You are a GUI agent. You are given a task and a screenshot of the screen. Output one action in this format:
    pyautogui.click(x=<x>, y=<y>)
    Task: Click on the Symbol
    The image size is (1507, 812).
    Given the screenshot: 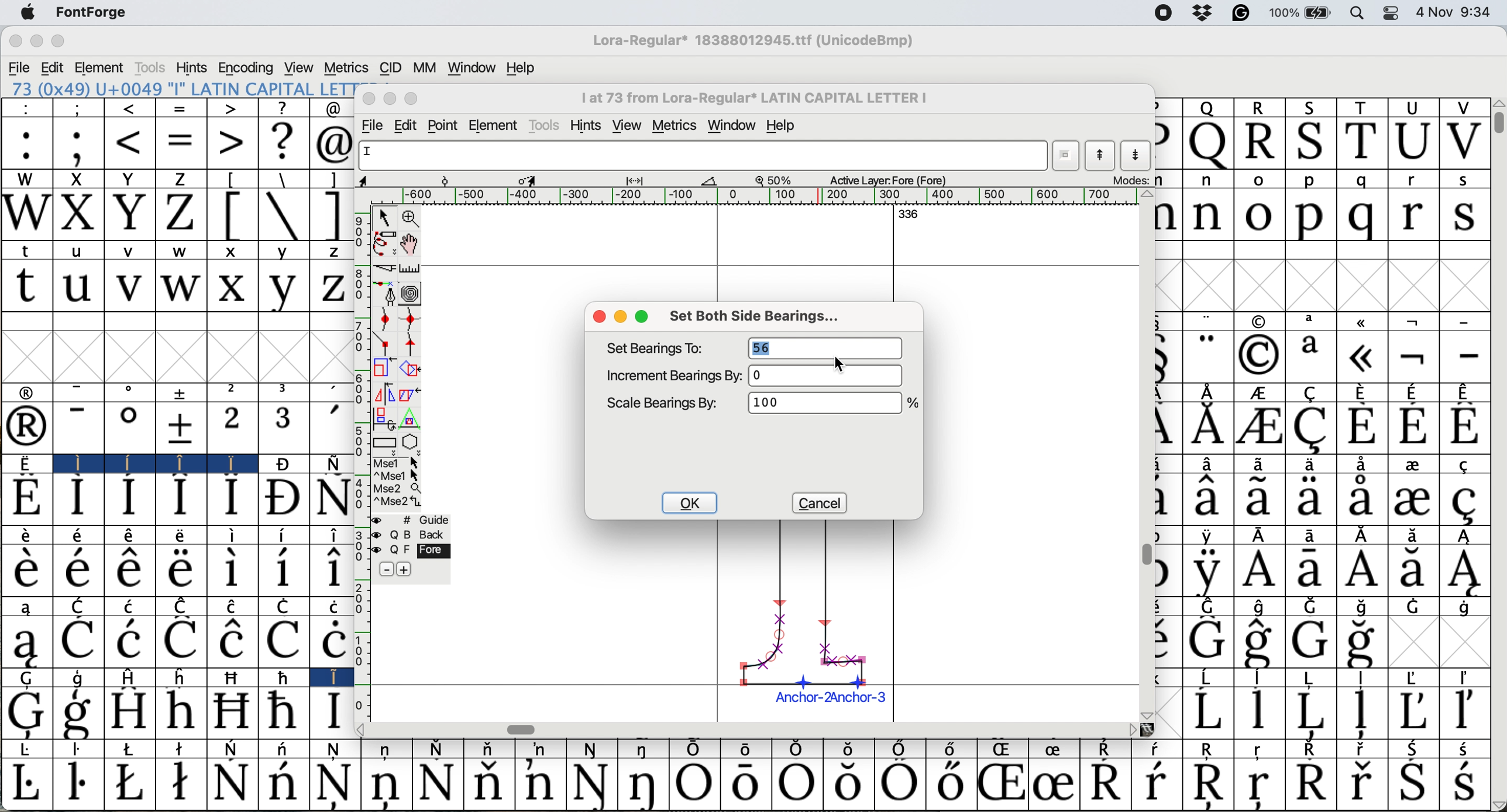 What is the action you would take?
    pyautogui.click(x=645, y=785)
    